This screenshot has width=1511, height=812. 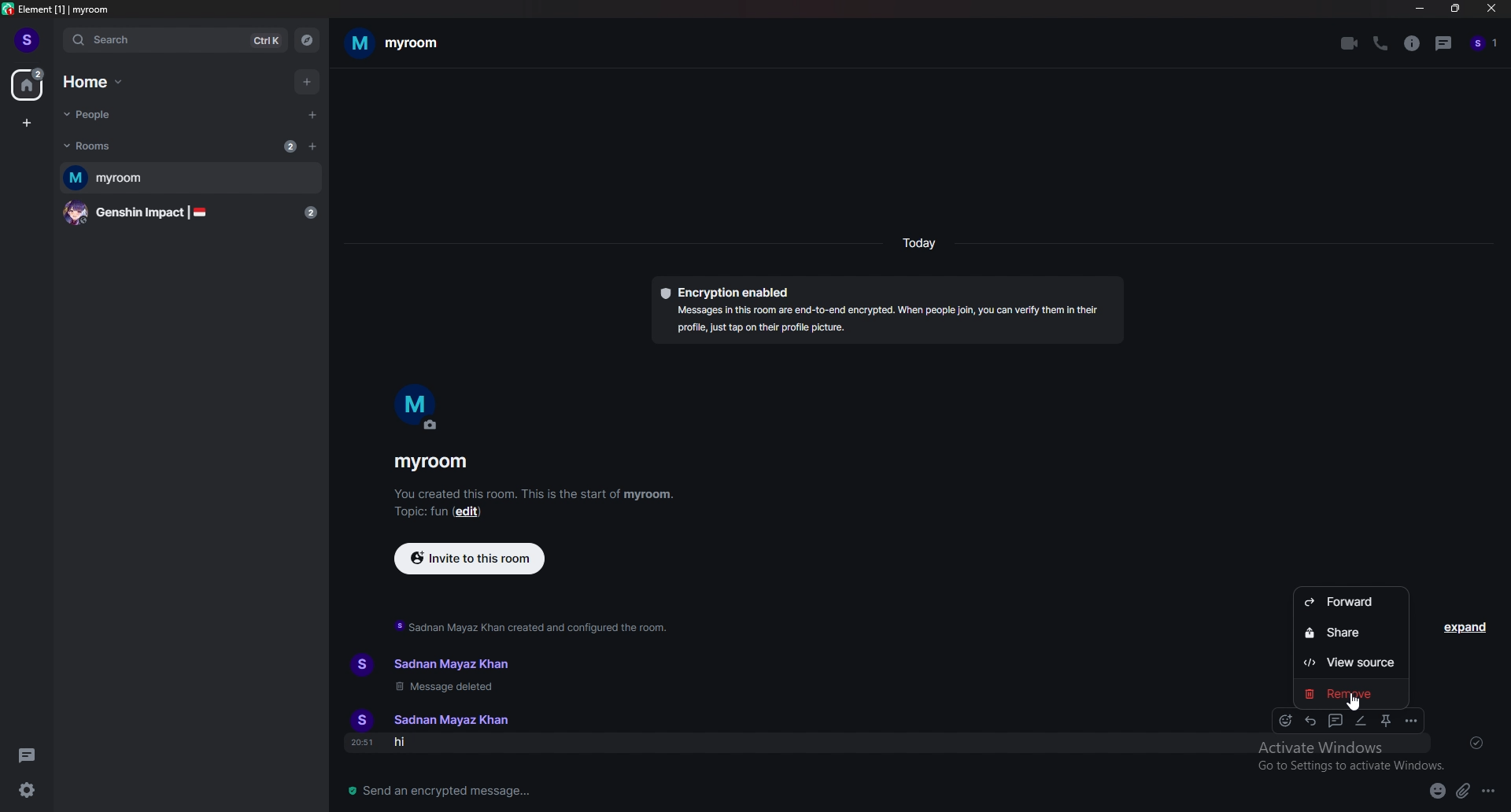 I want to click on threads, so click(x=31, y=755).